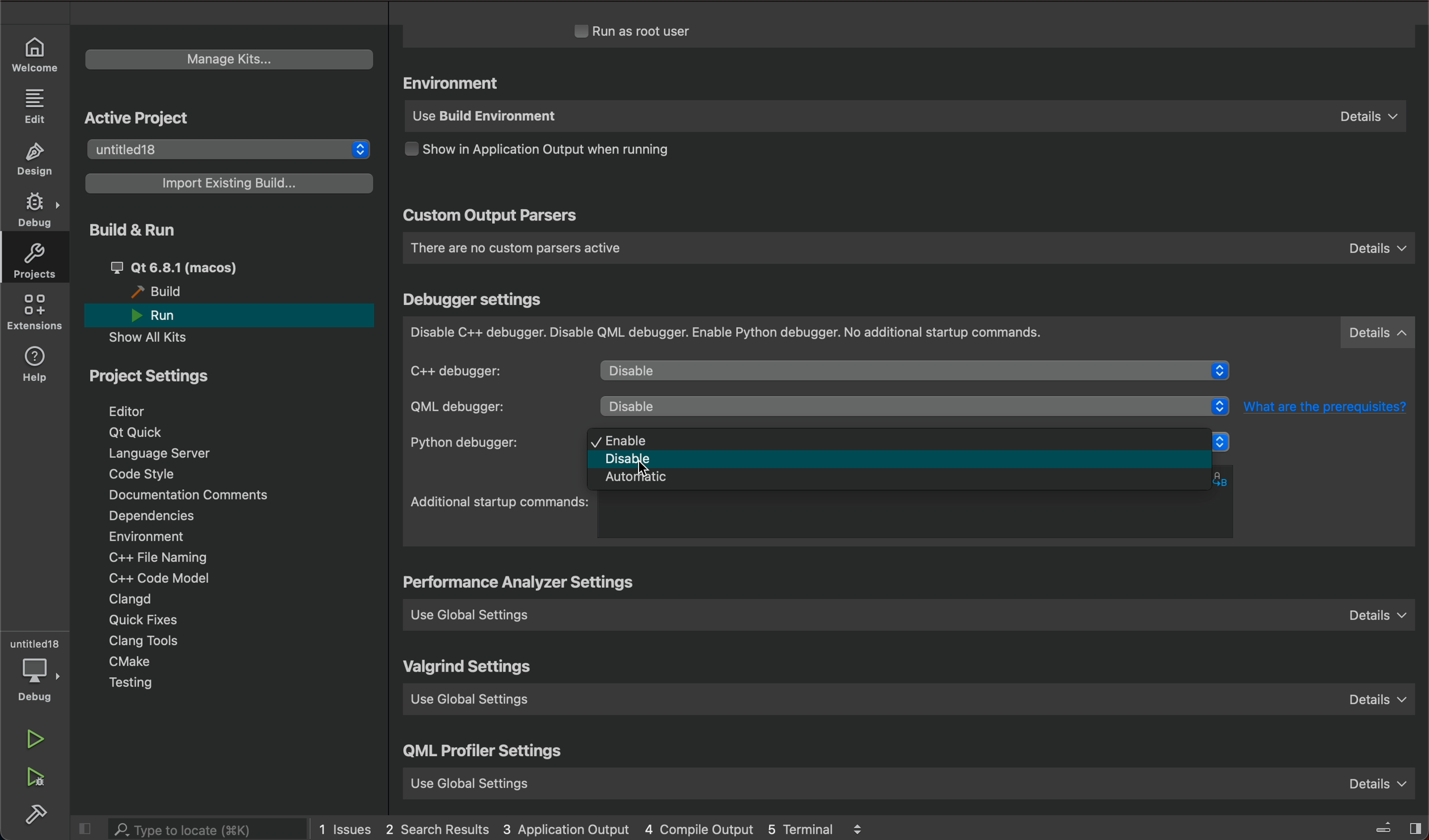  I want to click on import , so click(231, 183).